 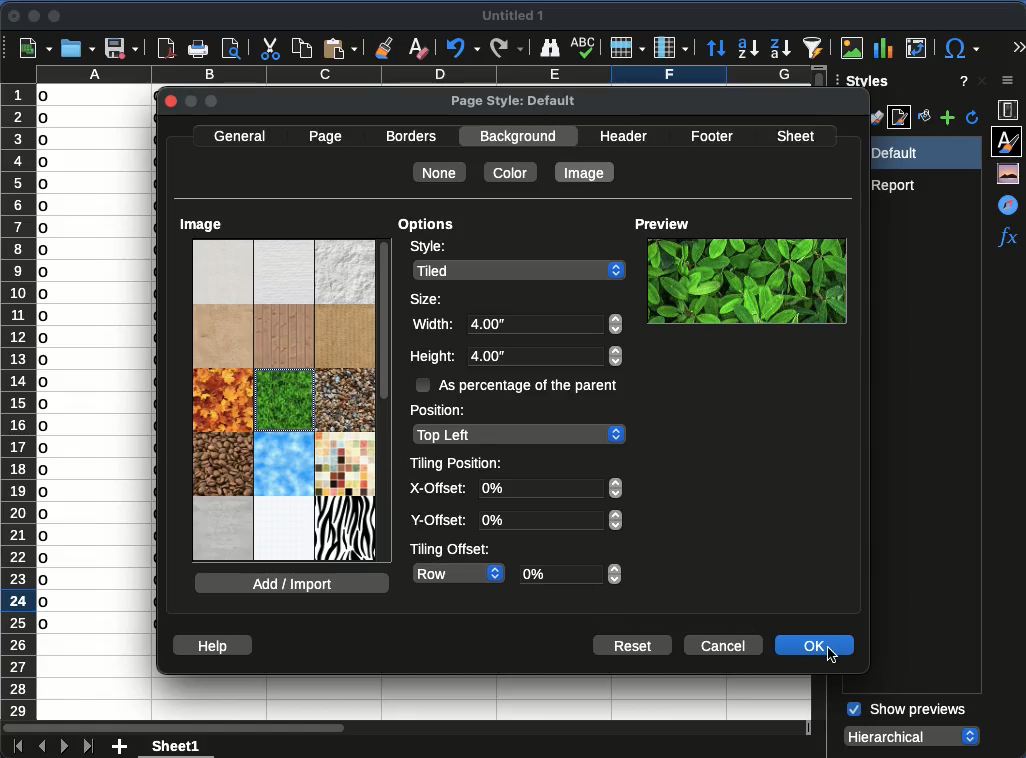 What do you see at coordinates (1007, 239) in the screenshot?
I see `functions` at bounding box center [1007, 239].